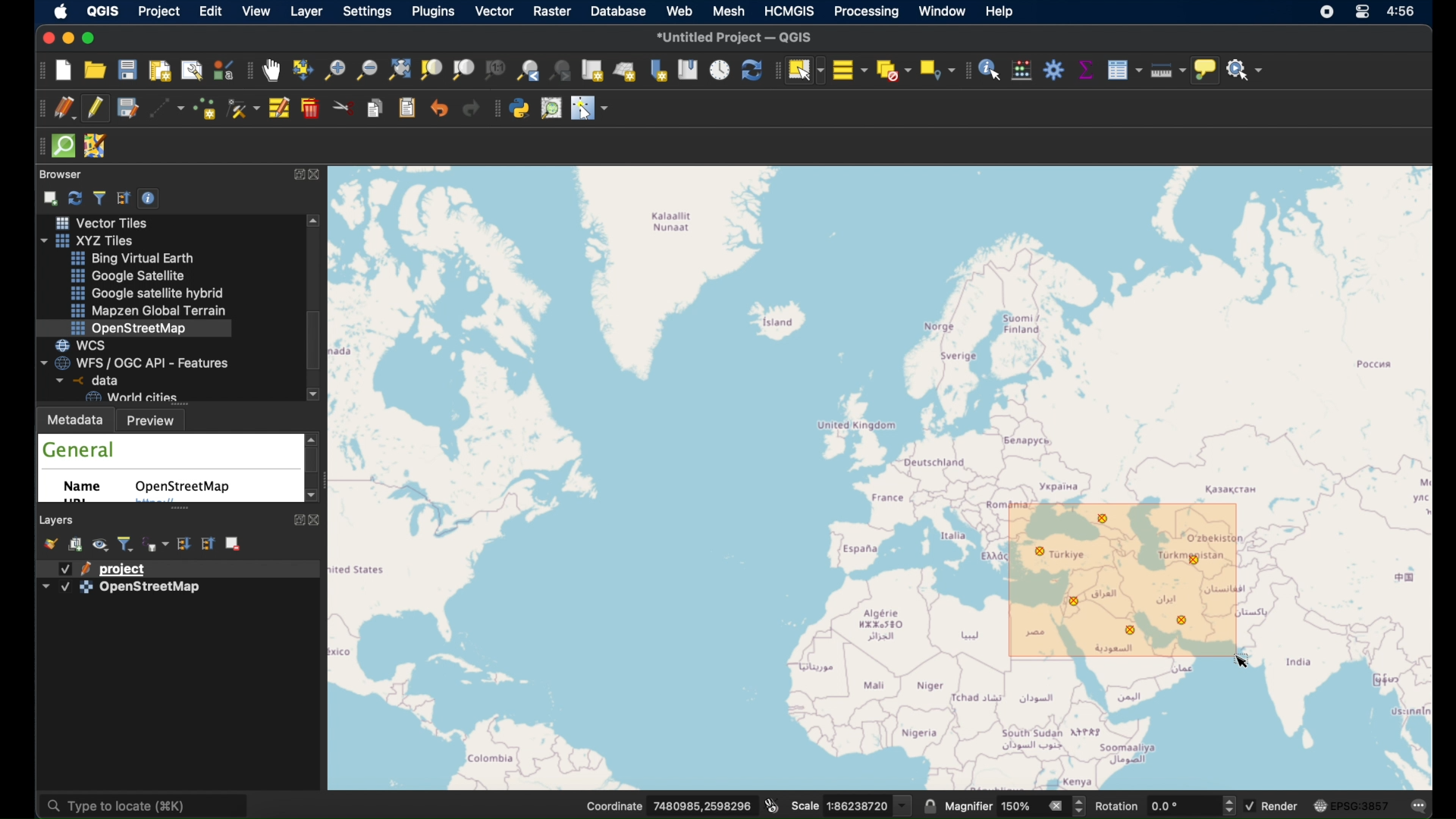 The height and width of the screenshot is (819, 1456). What do you see at coordinates (212, 11) in the screenshot?
I see `edit` at bounding box center [212, 11].